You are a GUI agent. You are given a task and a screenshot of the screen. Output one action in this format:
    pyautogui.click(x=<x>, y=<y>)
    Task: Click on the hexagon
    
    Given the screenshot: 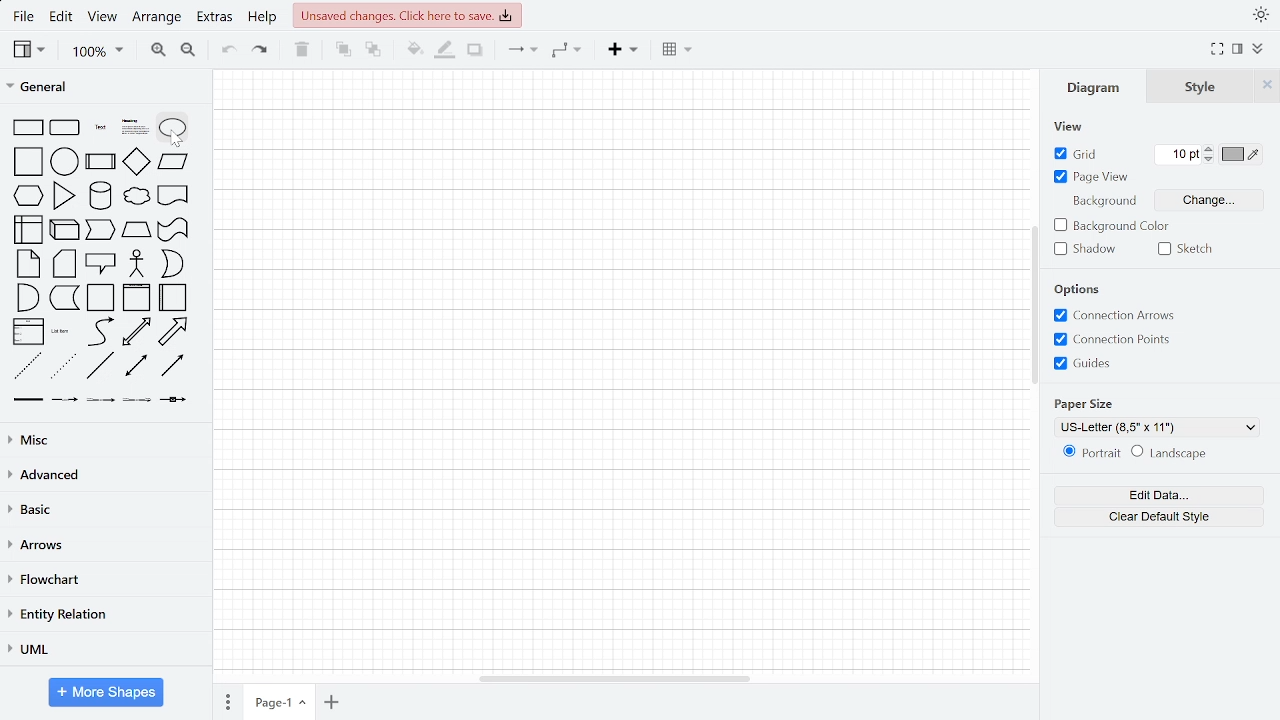 What is the action you would take?
    pyautogui.click(x=28, y=196)
    